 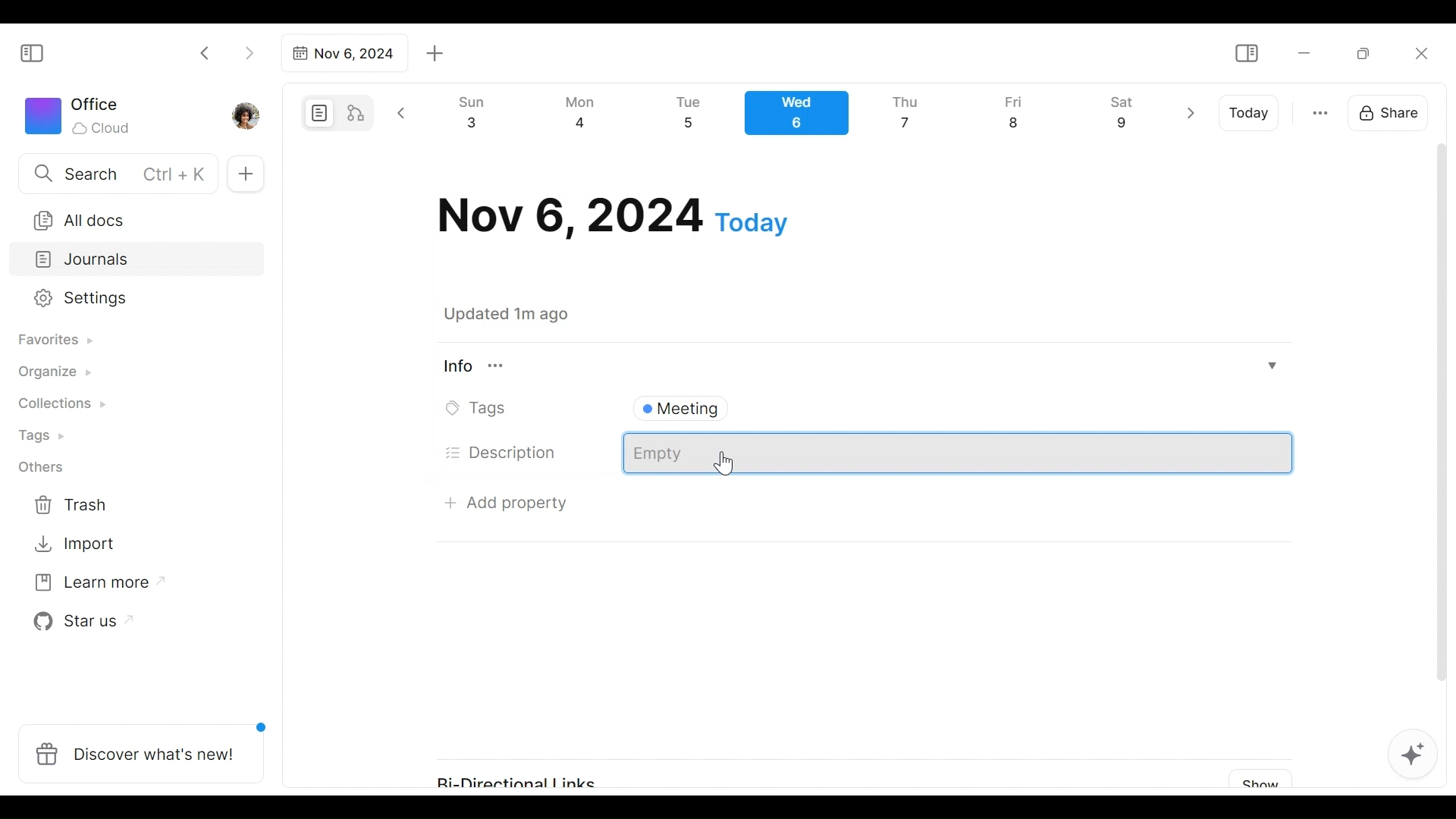 I want to click on Workspace icon, so click(x=80, y=114).